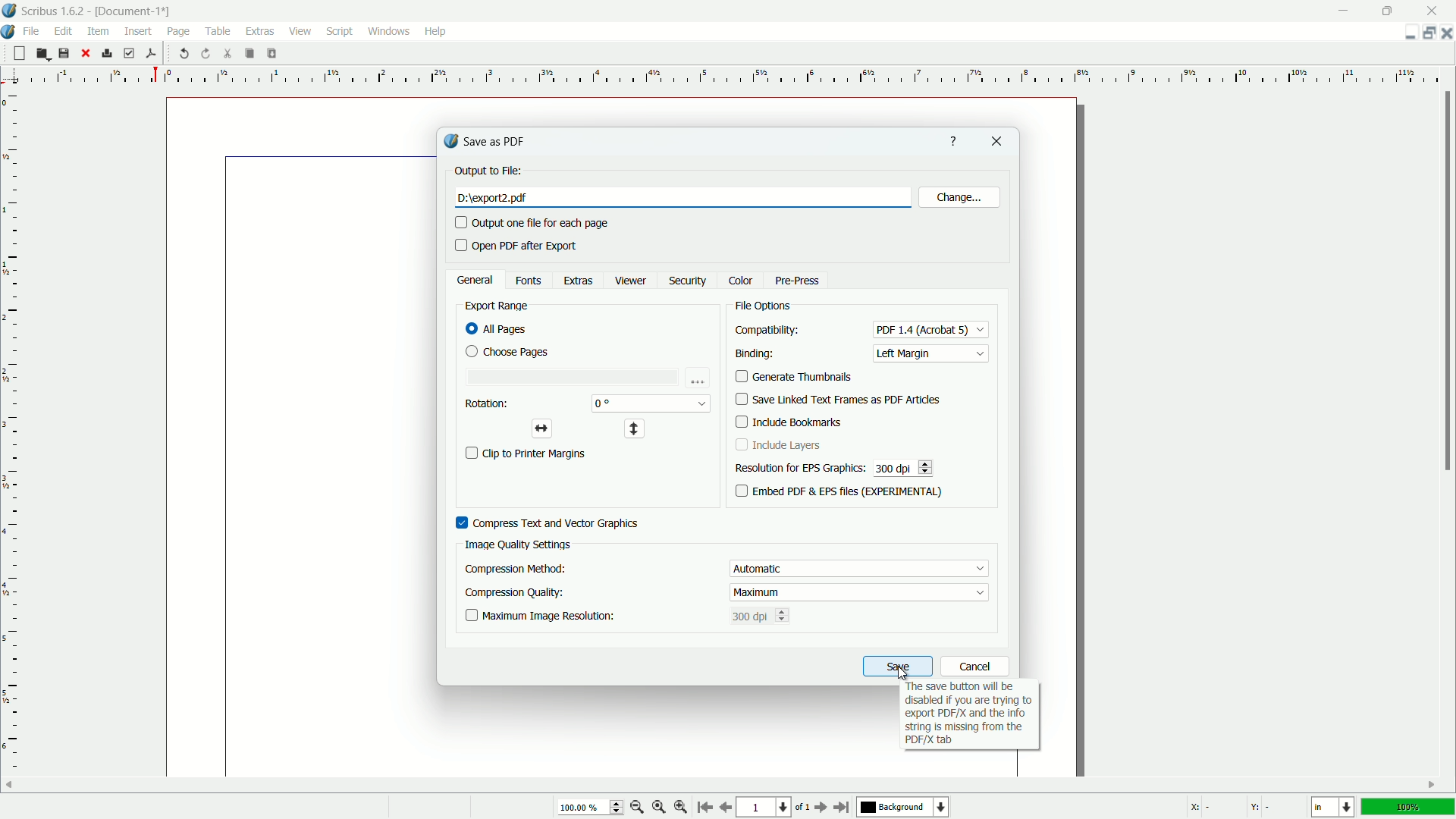 Image resolution: width=1456 pixels, height=819 pixels. I want to click on zoom out, so click(638, 808).